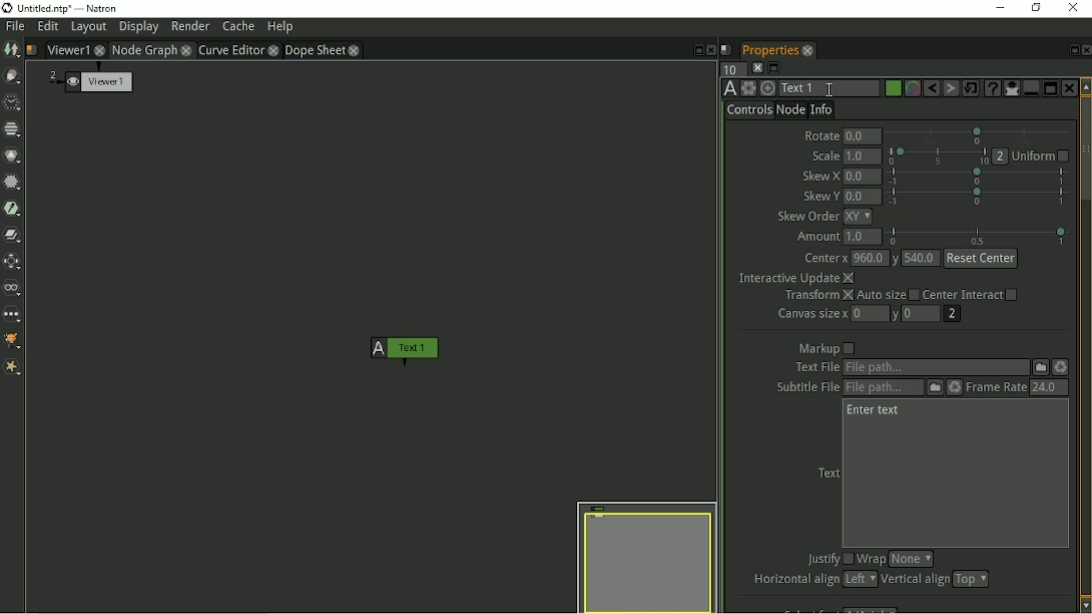 The height and width of the screenshot is (614, 1092). I want to click on Float pane, so click(1071, 50).